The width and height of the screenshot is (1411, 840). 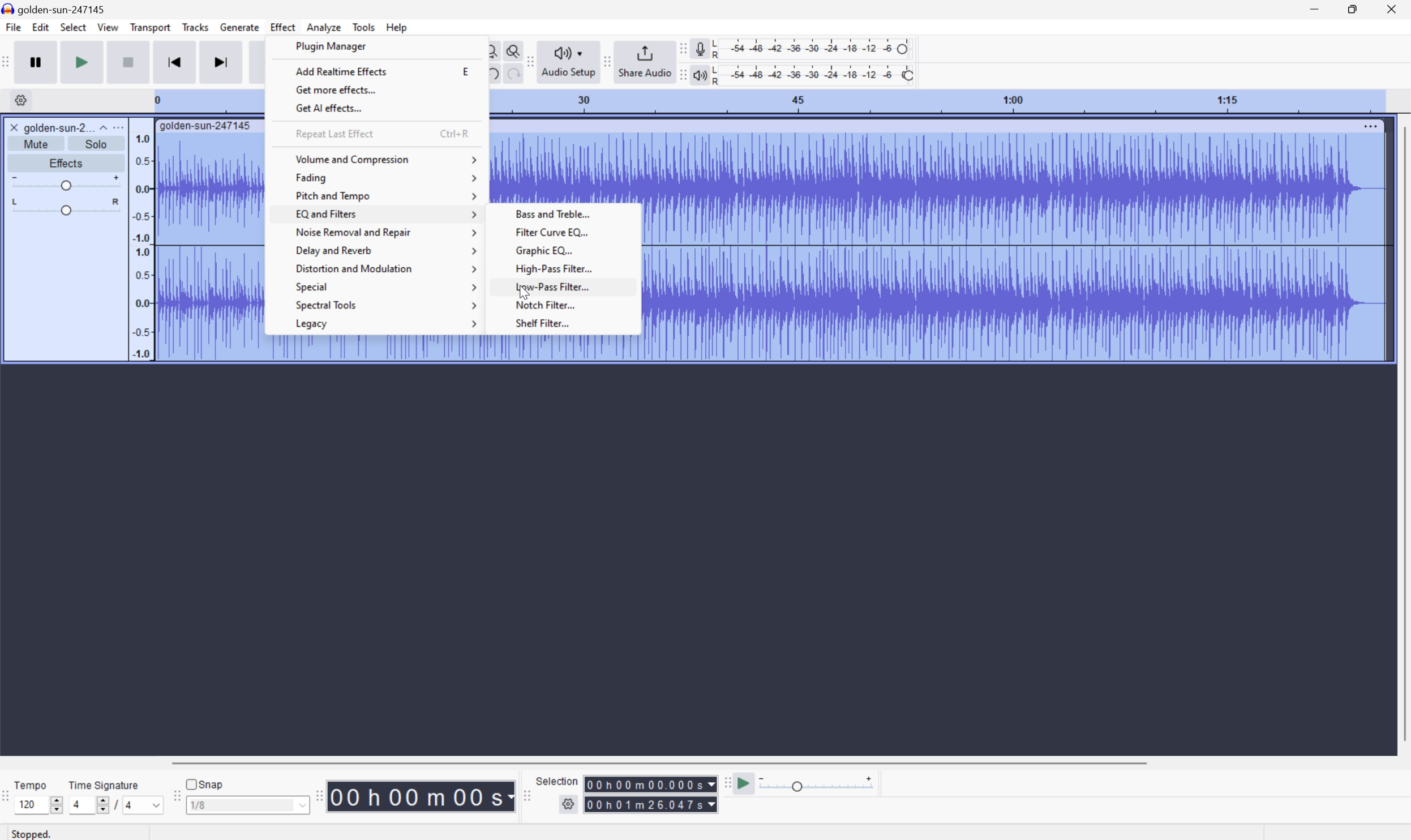 What do you see at coordinates (241, 27) in the screenshot?
I see `Generate` at bounding box center [241, 27].